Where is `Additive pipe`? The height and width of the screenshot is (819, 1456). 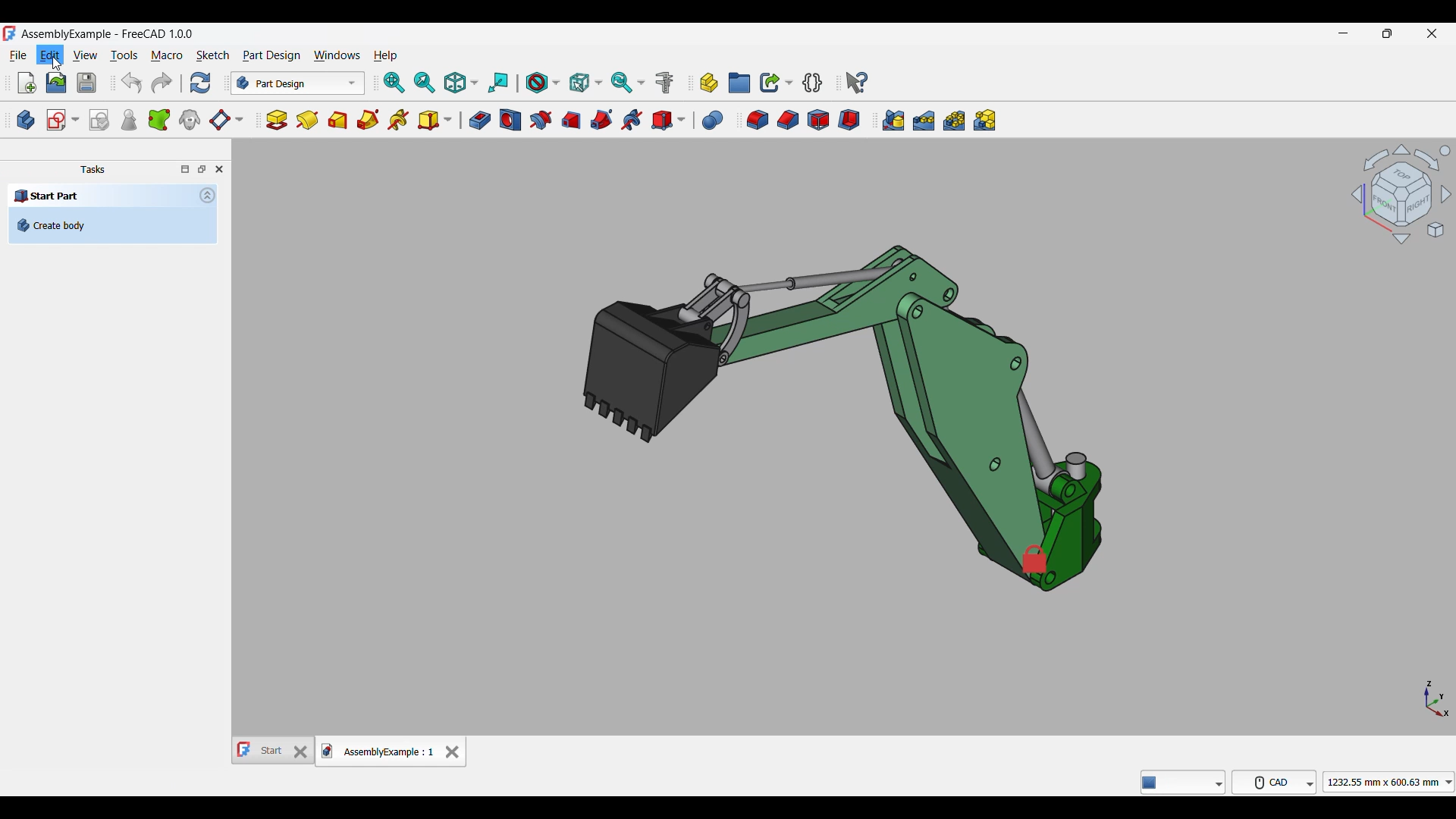 Additive pipe is located at coordinates (368, 120).